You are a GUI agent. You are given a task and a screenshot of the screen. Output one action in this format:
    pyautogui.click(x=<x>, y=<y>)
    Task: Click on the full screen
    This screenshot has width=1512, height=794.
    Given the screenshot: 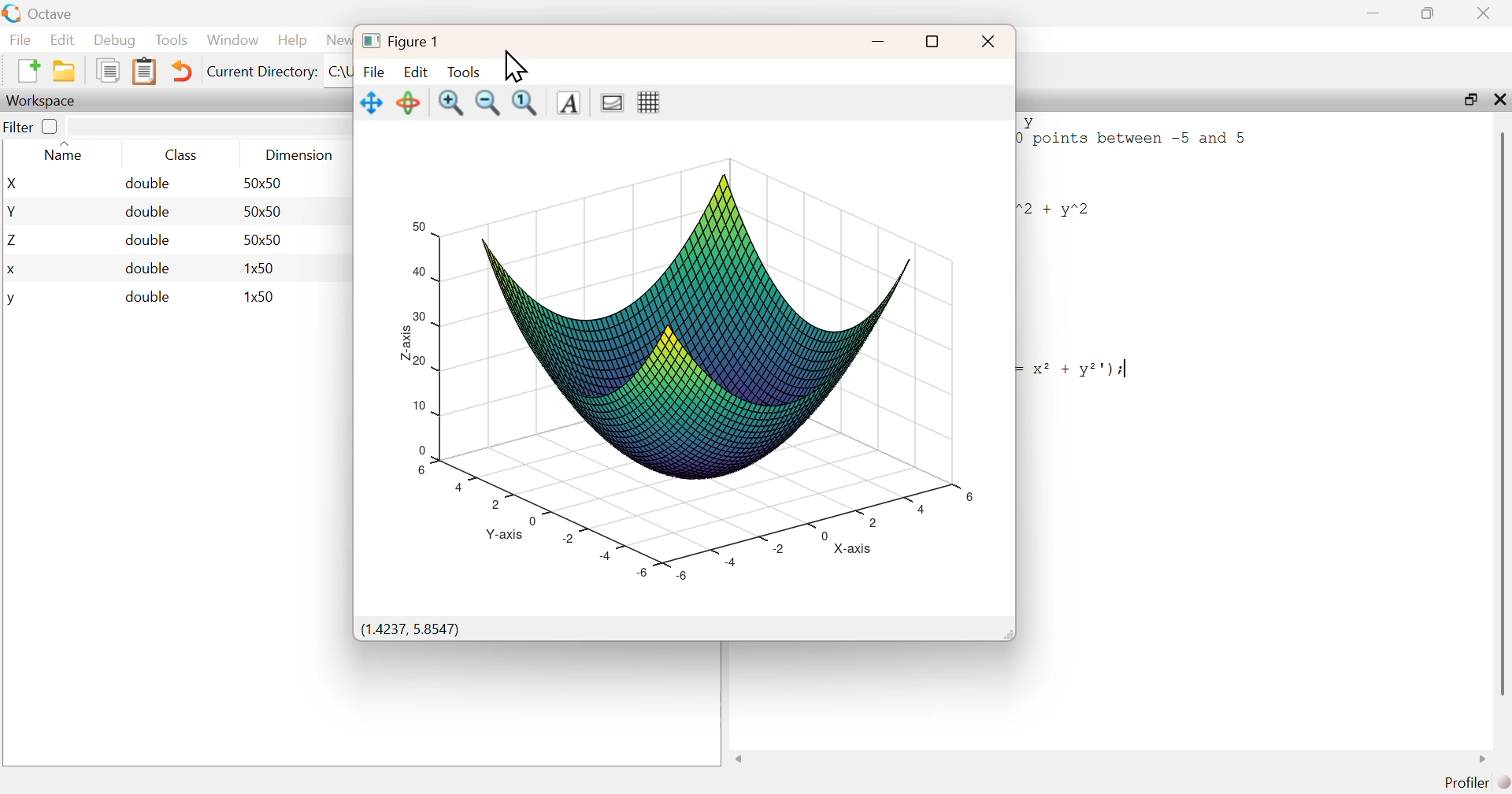 What is the action you would take?
    pyautogui.click(x=931, y=42)
    